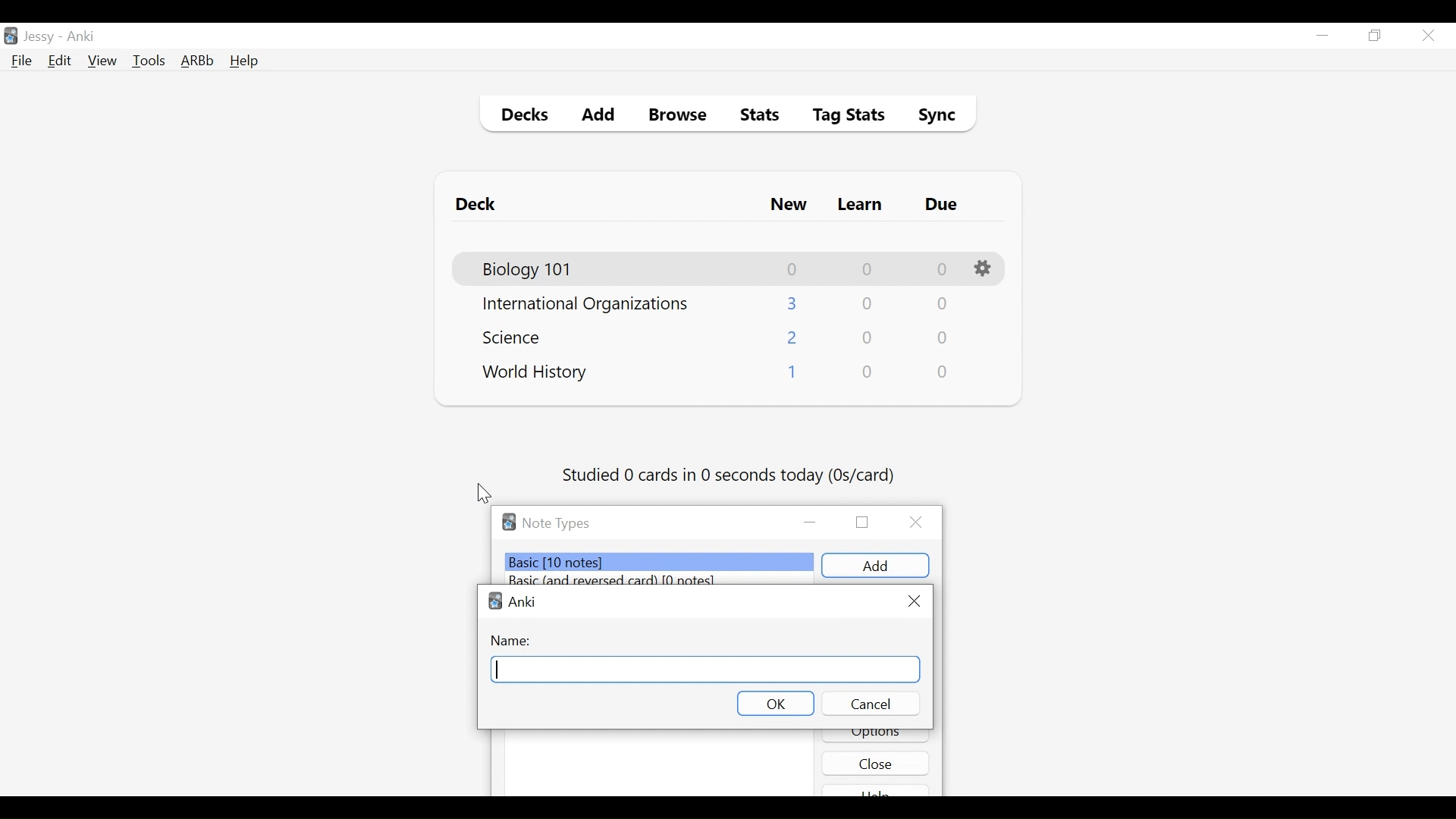 The height and width of the screenshot is (819, 1456). Describe the element at coordinates (149, 60) in the screenshot. I see `Tools` at that location.